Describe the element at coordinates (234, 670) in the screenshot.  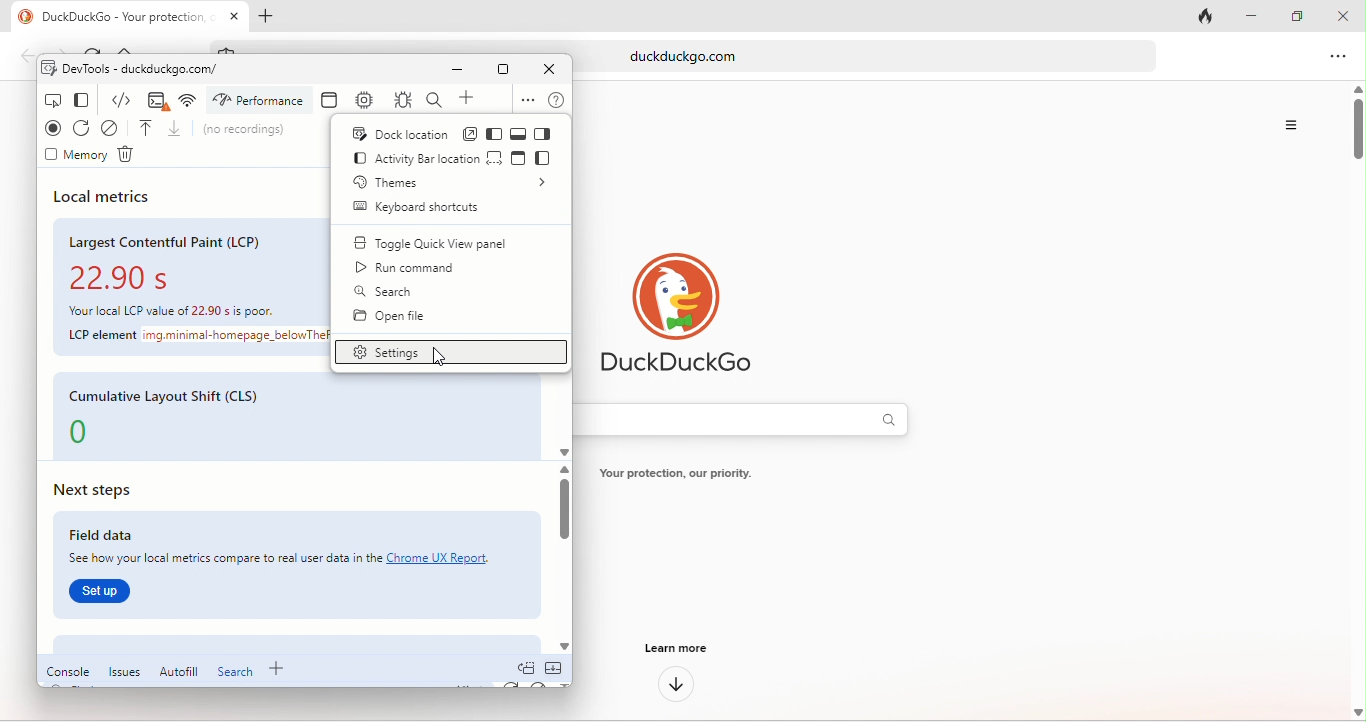
I see `search` at that location.